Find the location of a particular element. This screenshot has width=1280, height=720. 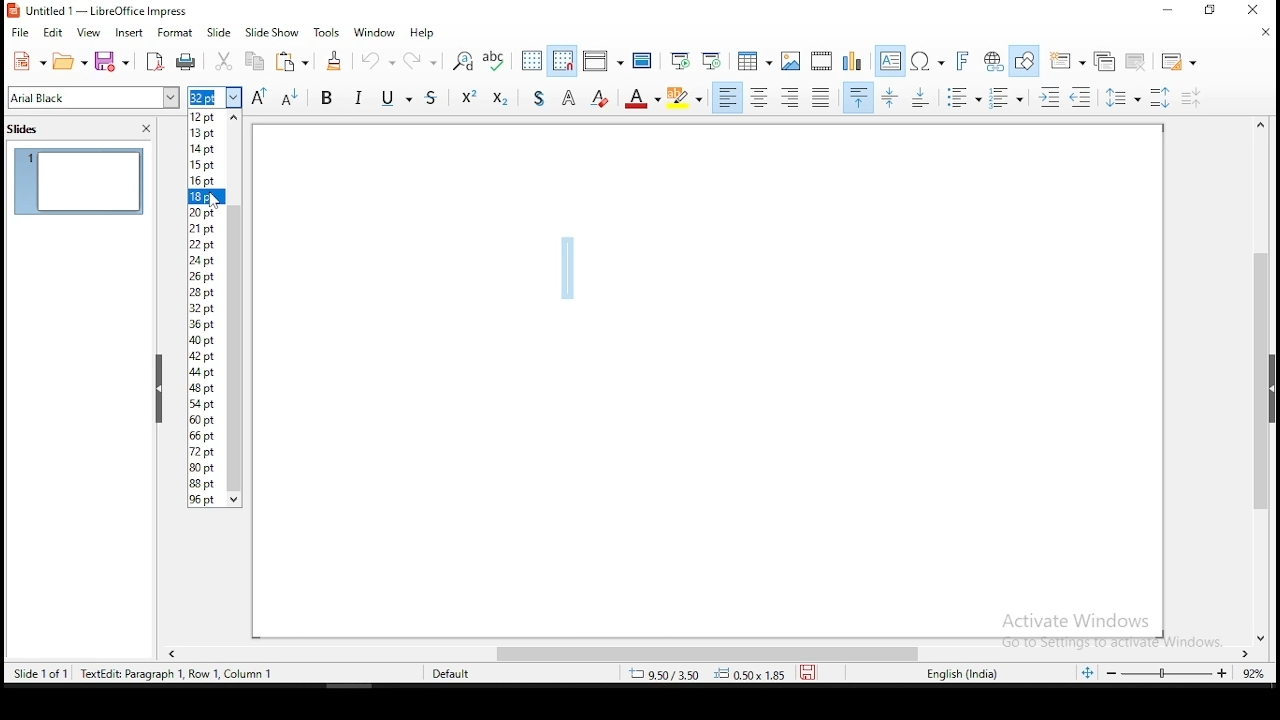

collapse is located at coordinates (160, 389).